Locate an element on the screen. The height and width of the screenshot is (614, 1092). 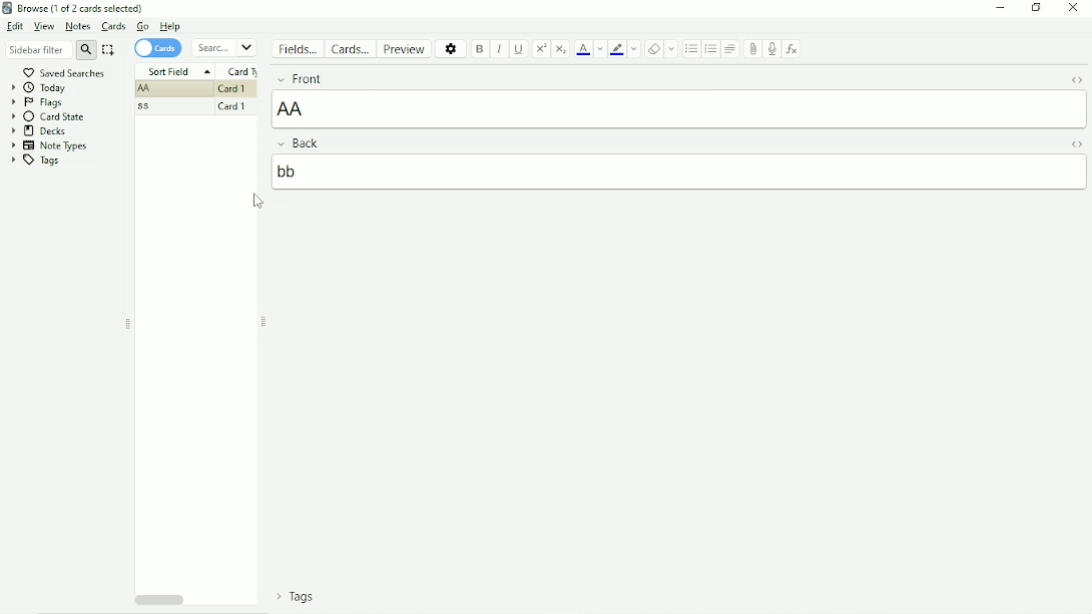
Unordered list is located at coordinates (692, 49).